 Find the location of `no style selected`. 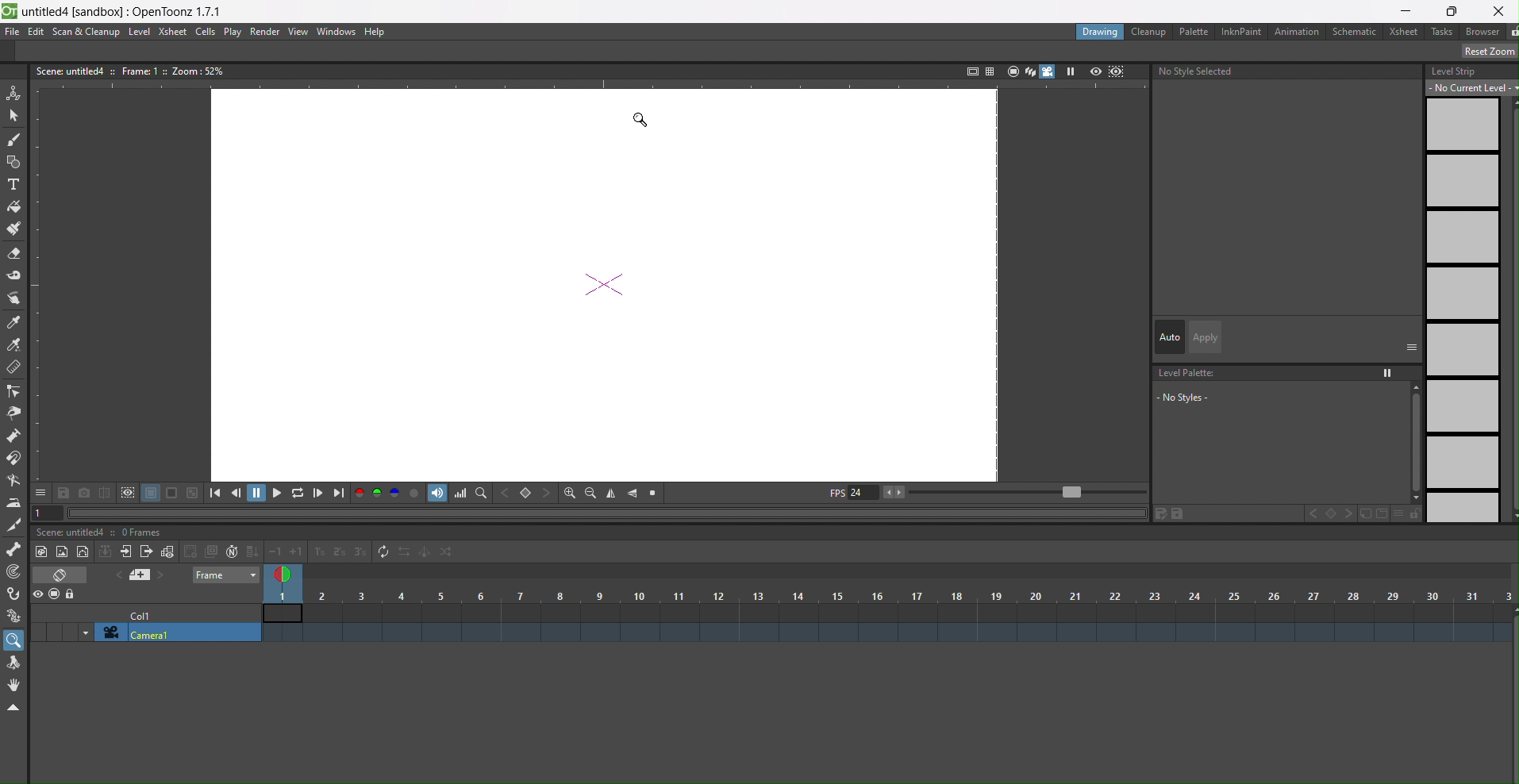

no style selected is located at coordinates (1196, 75).